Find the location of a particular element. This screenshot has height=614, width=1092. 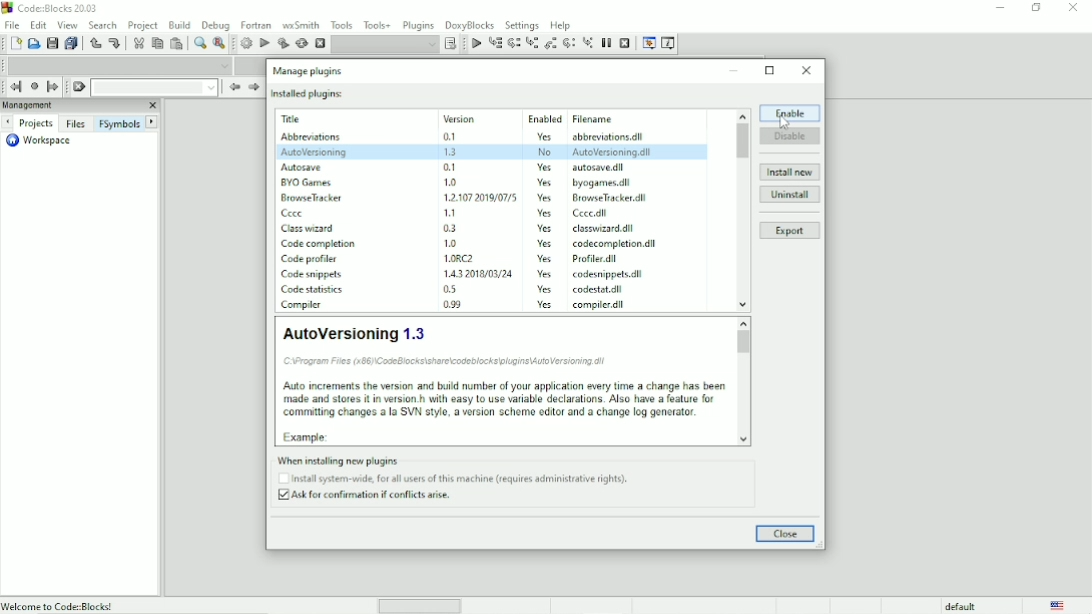

Cut is located at coordinates (137, 44).